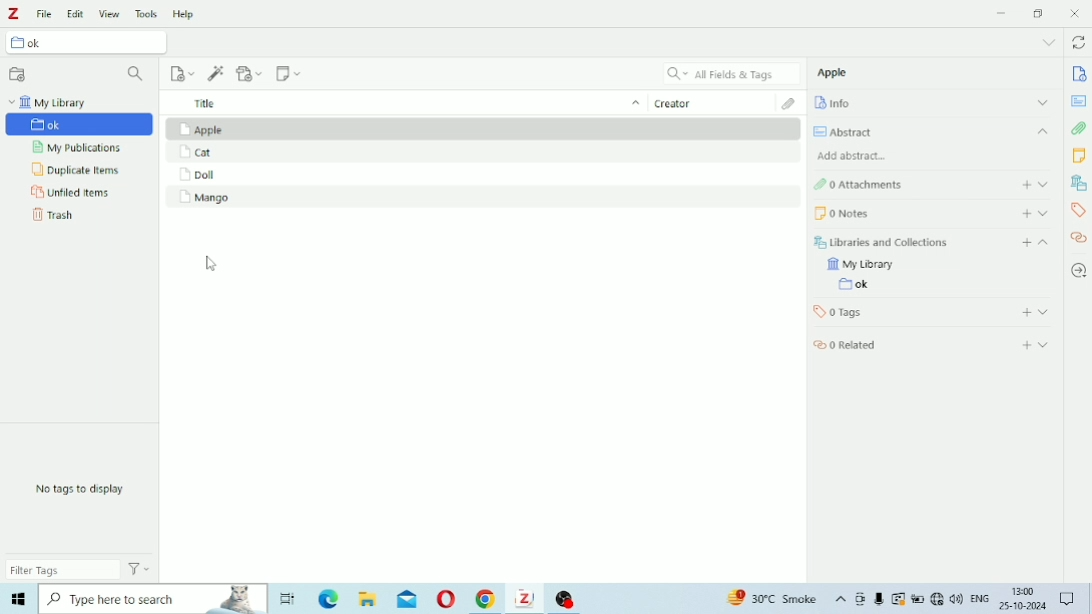 This screenshot has height=614, width=1092. What do you see at coordinates (53, 214) in the screenshot?
I see `Trash` at bounding box center [53, 214].